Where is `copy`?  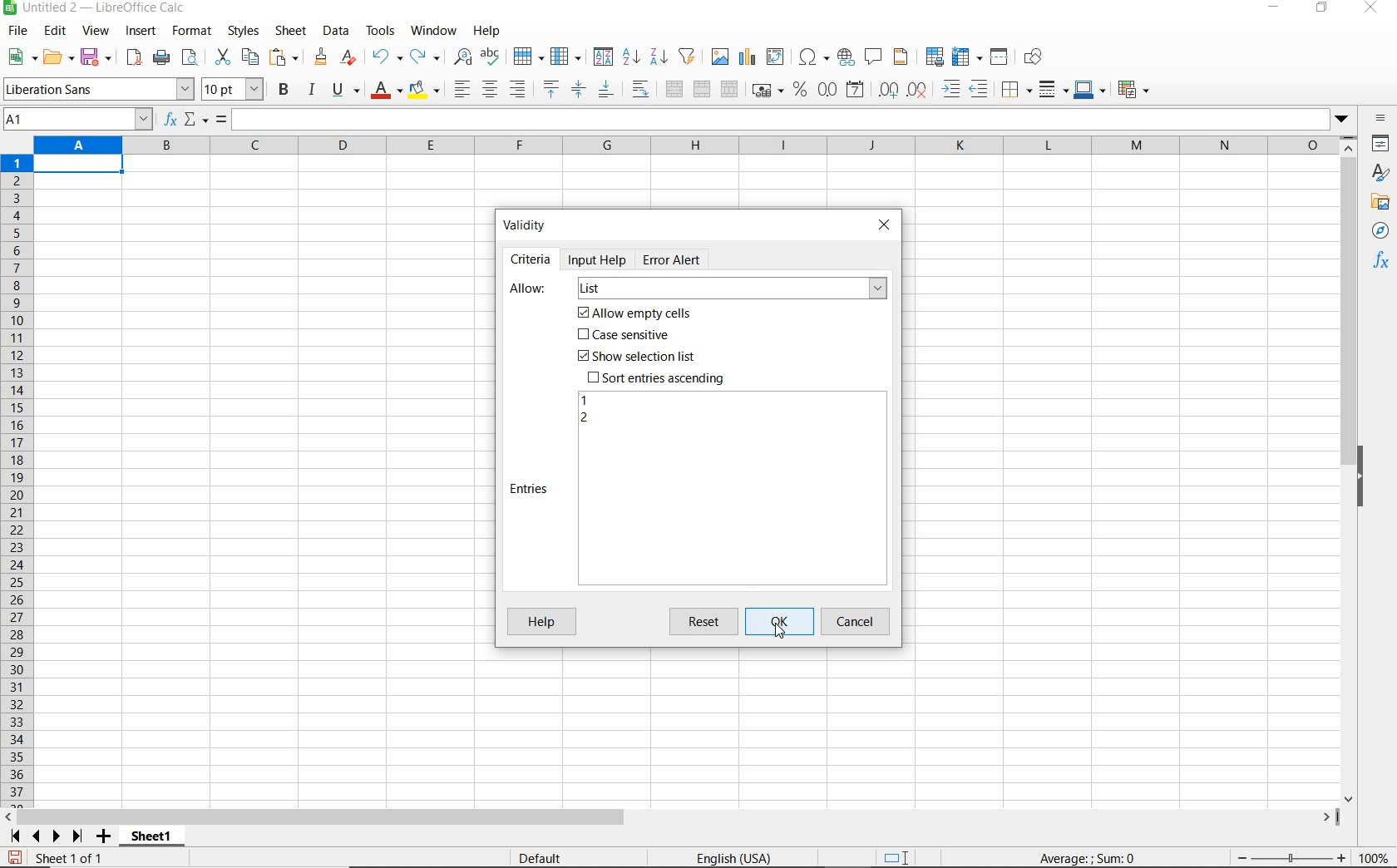 copy is located at coordinates (251, 57).